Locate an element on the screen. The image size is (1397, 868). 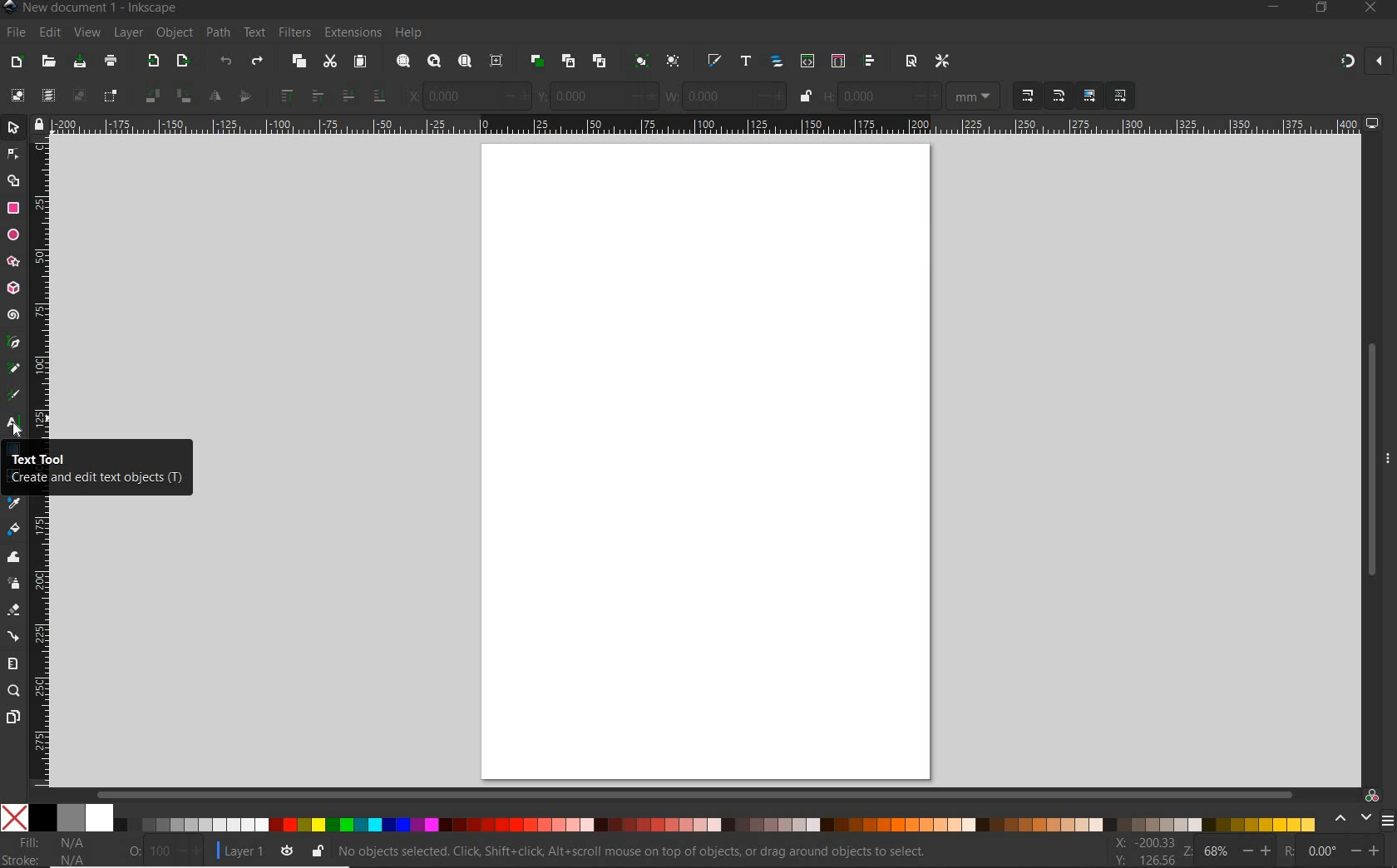
lower selection is located at coordinates (349, 95).